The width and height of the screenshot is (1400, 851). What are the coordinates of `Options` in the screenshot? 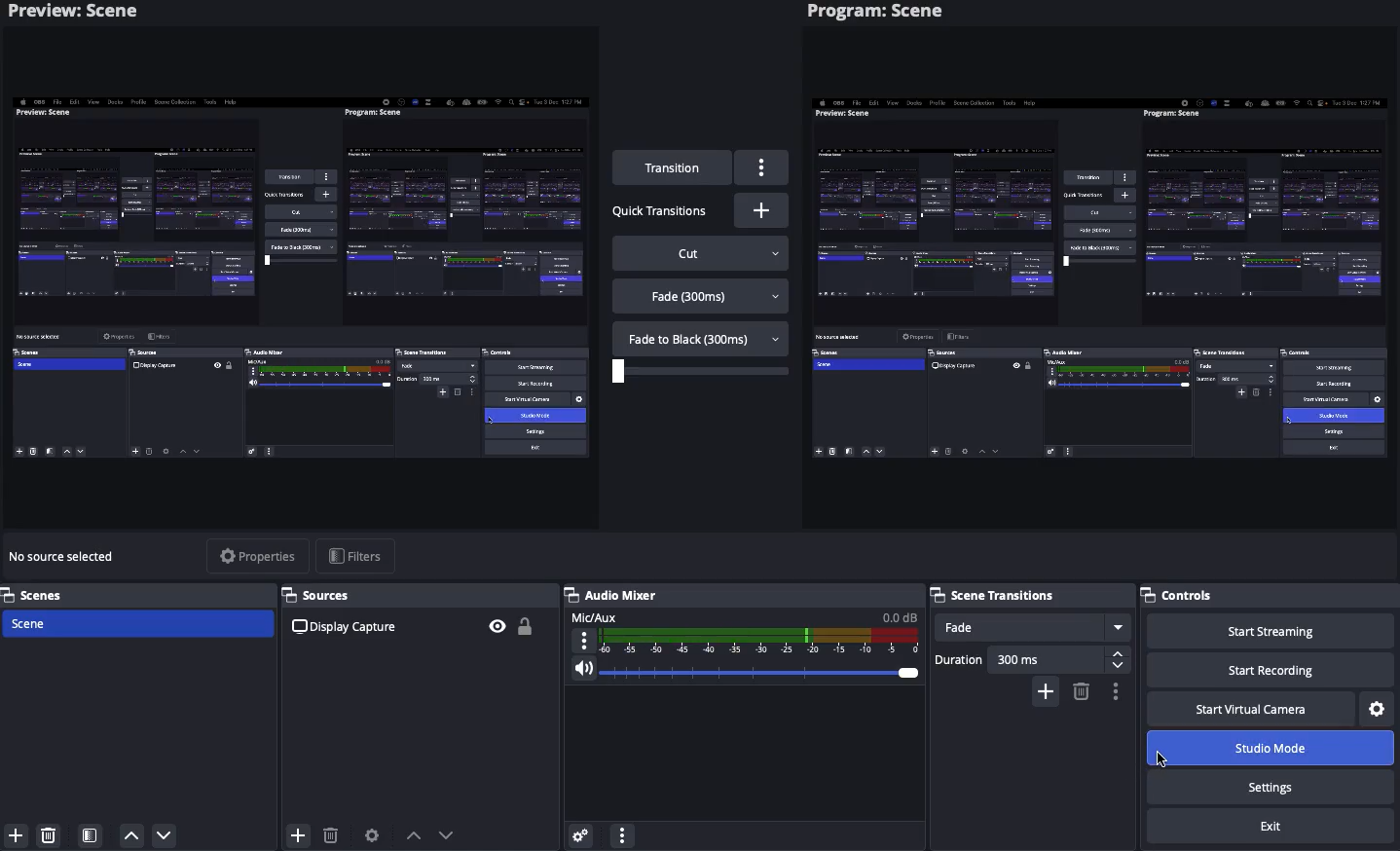 It's located at (1113, 692).